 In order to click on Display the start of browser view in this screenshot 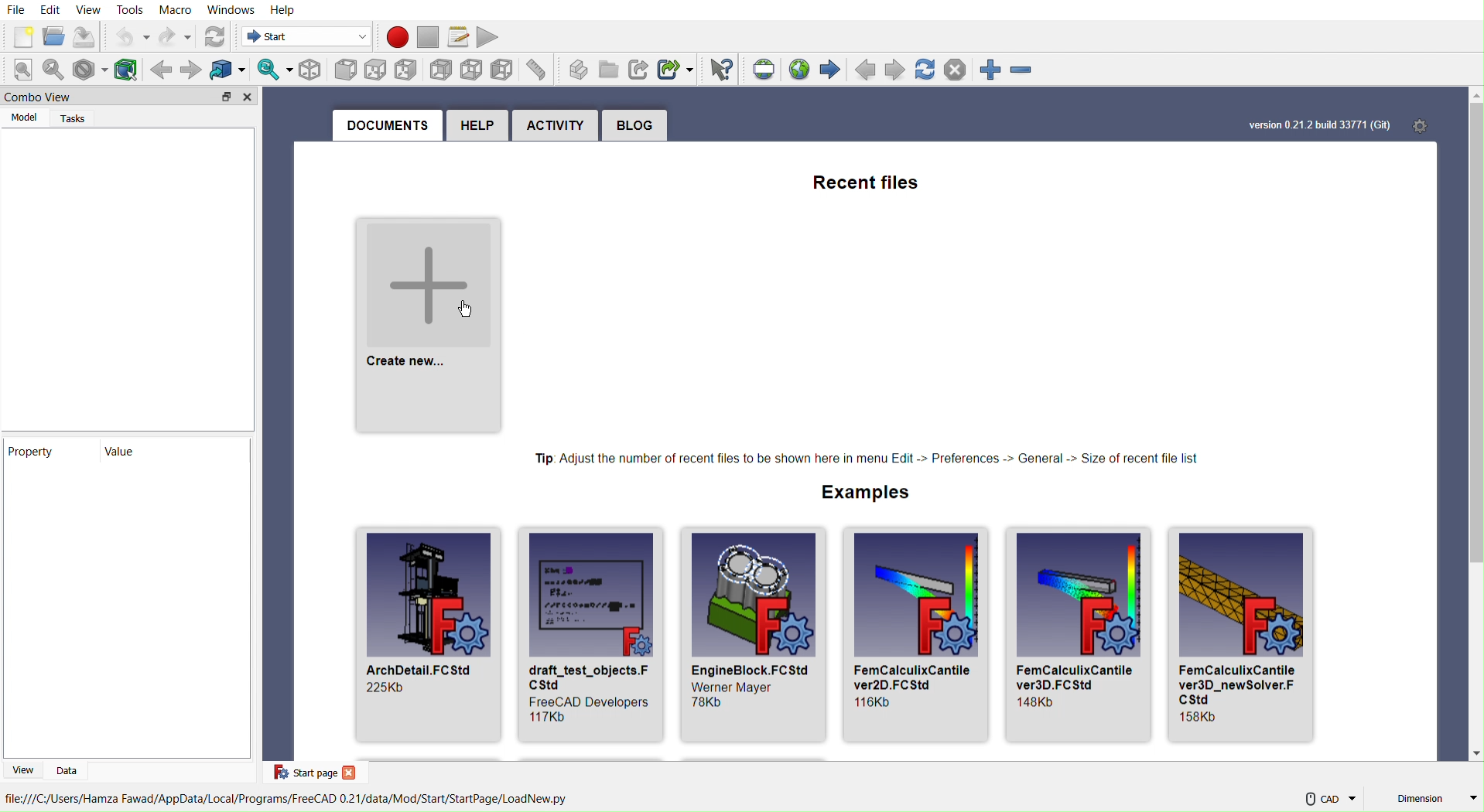, I will do `click(833, 69)`.